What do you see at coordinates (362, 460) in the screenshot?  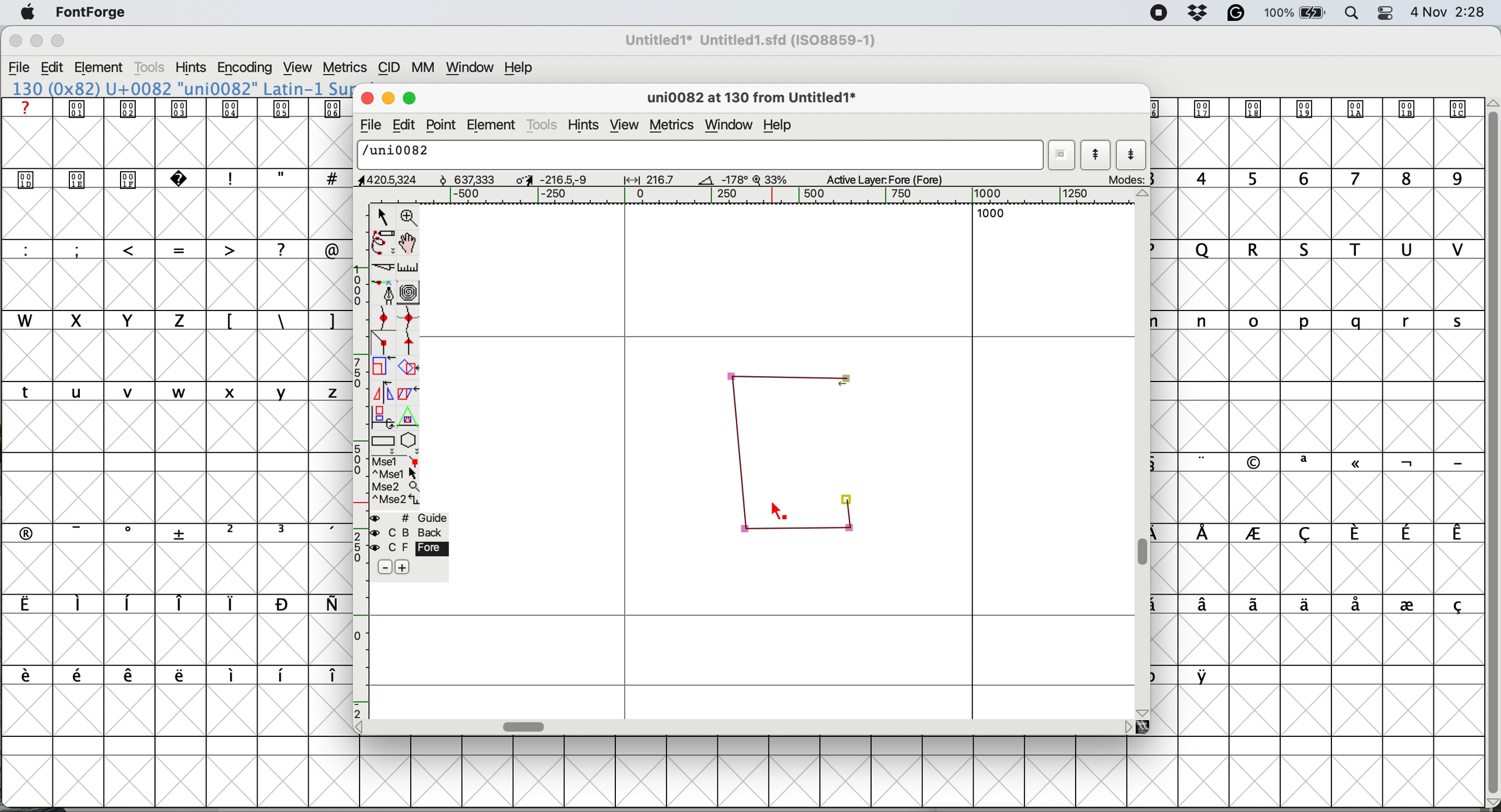 I see `vertical scale` at bounding box center [362, 460].